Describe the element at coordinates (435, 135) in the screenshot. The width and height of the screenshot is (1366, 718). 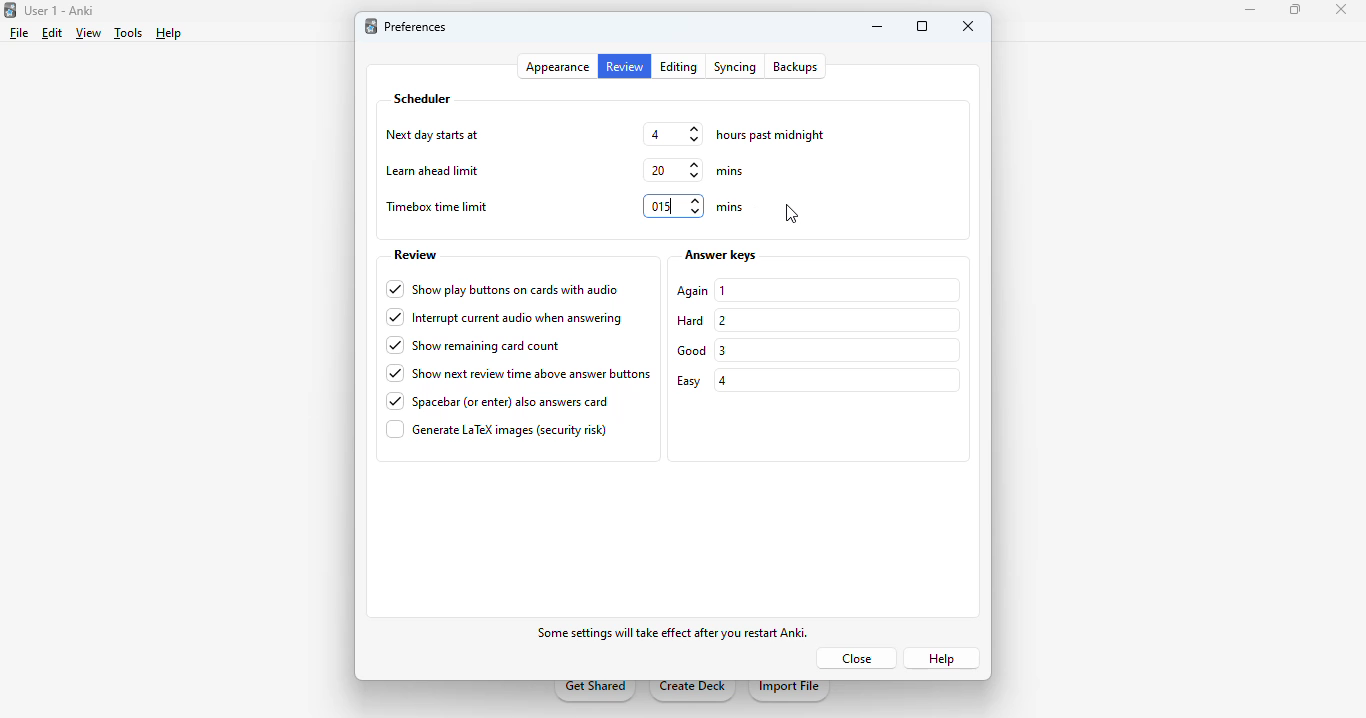
I see `next day starts at` at that location.